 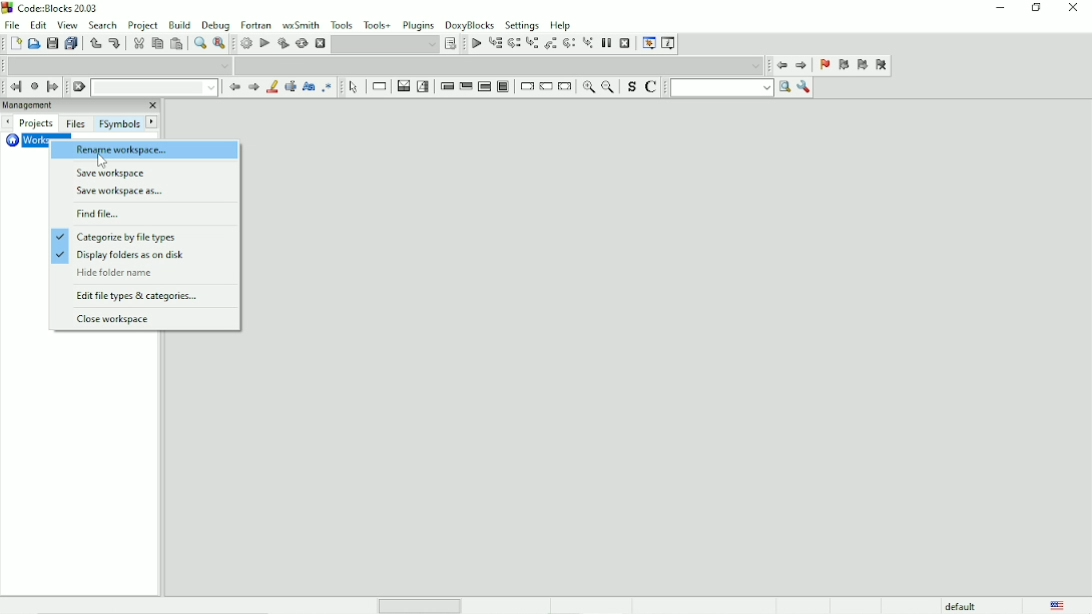 I want to click on Jump forward, so click(x=54, y=87).